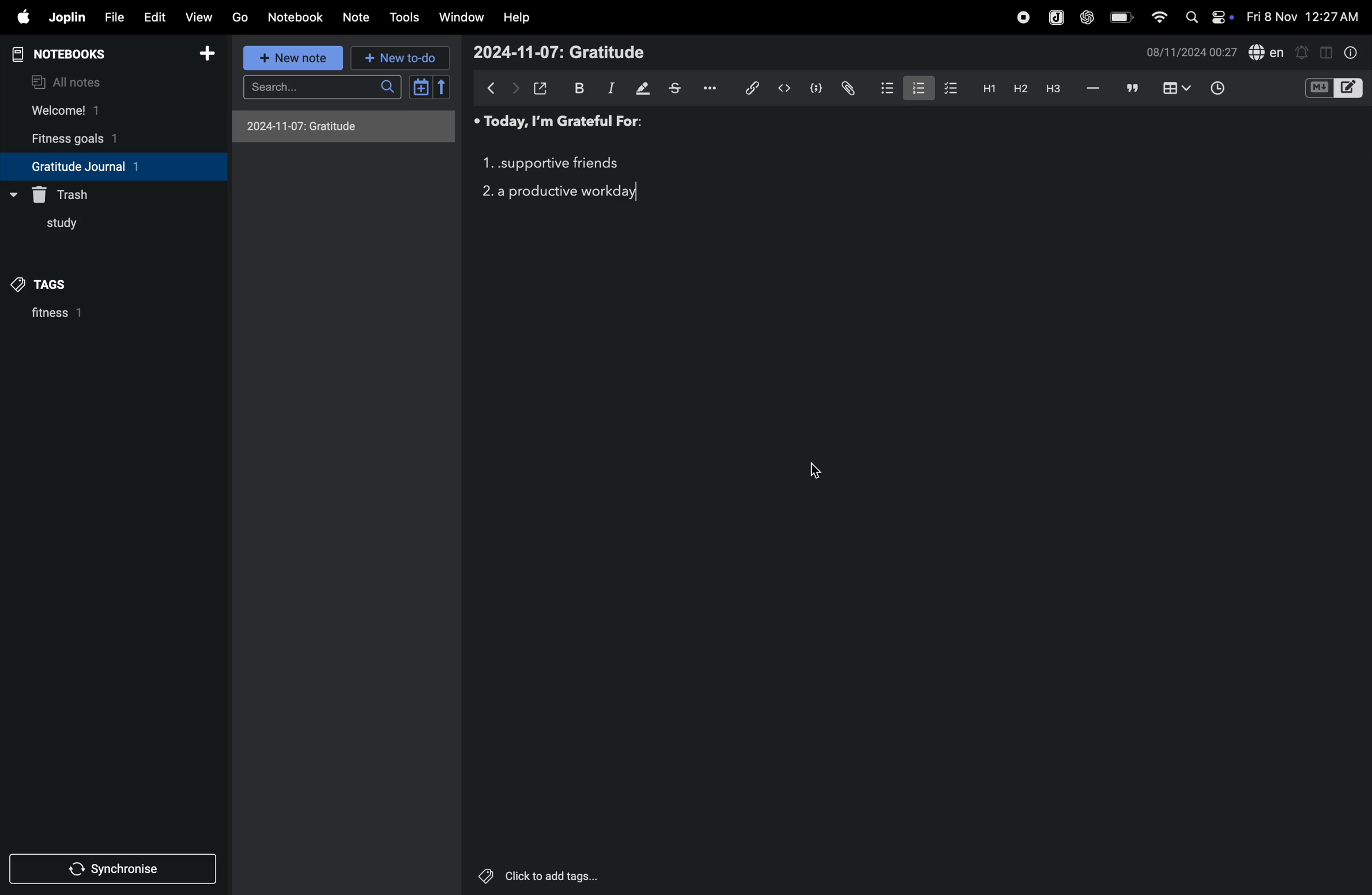  What do you see at coordinates (54, 227) in the screenshot?
I see `study` at bounding box center [54, 227].